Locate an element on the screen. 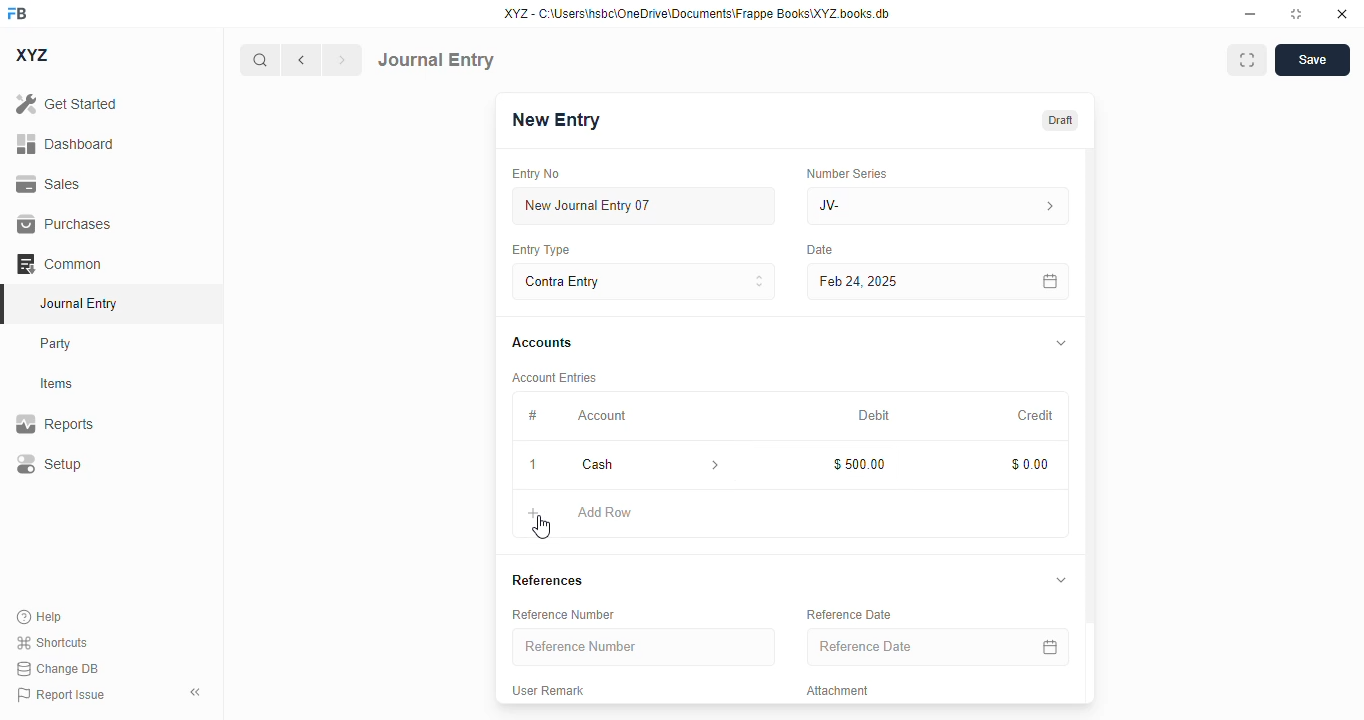 The image size is (1364, 720). contra entry  is located at coordinates (643, 280).